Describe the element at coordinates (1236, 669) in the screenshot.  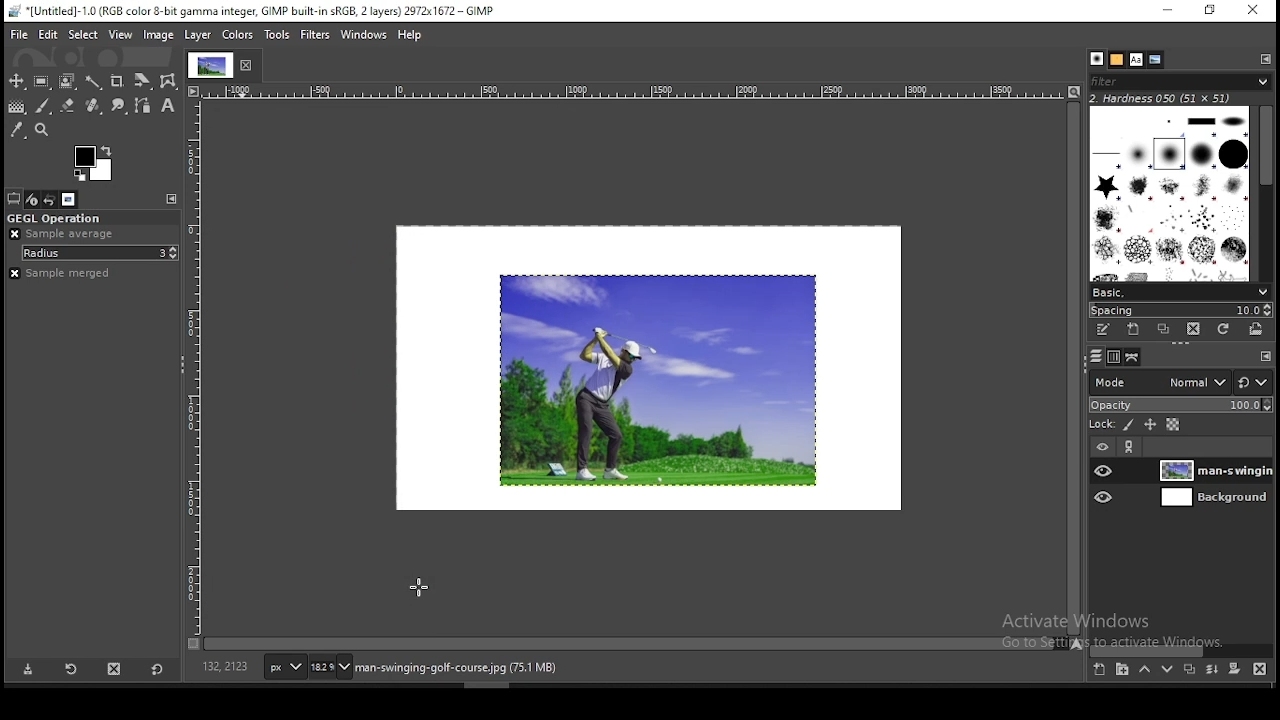
I see `add a mask` at that location.